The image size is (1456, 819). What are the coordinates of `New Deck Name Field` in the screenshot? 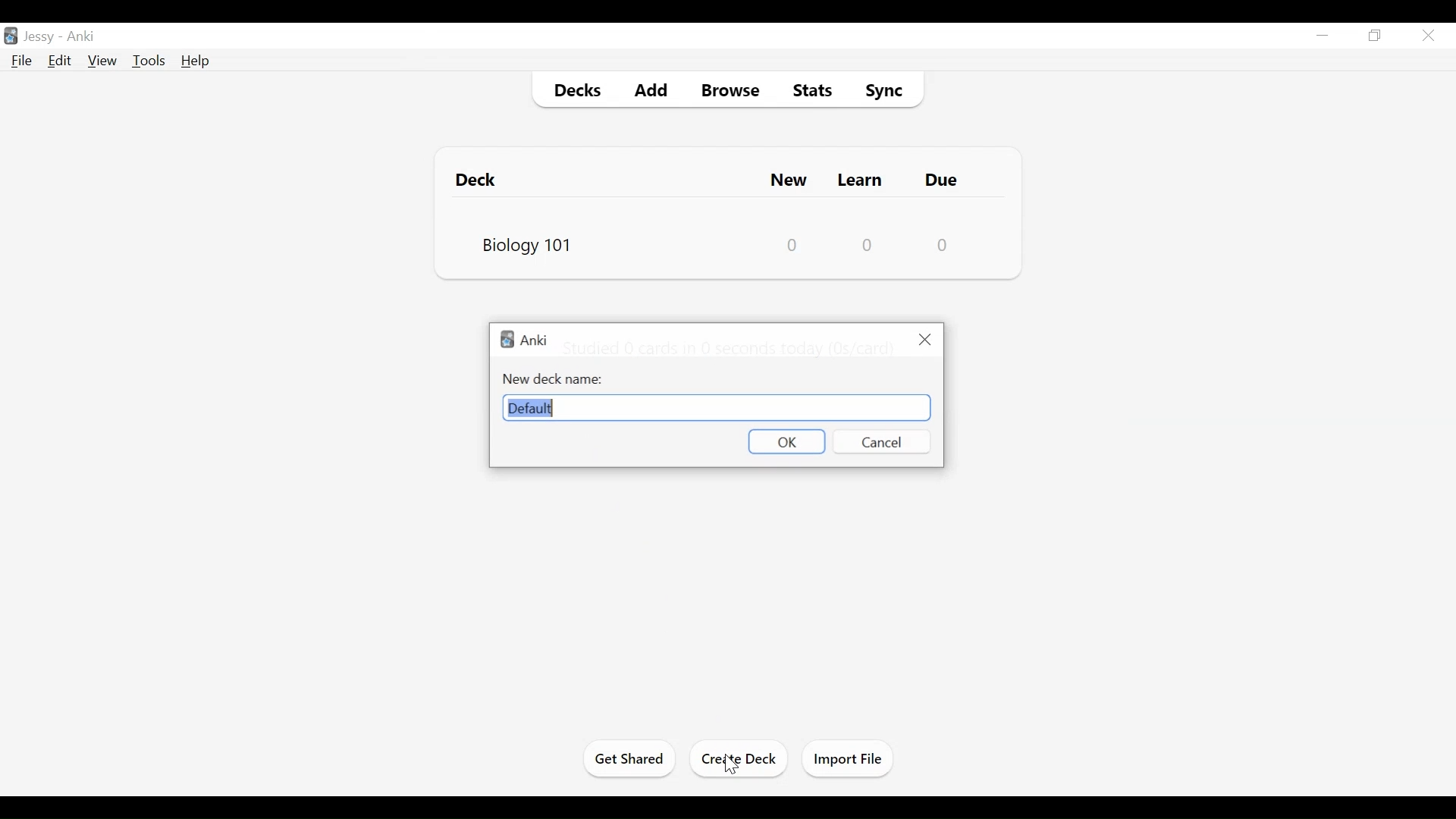 It's located at (718, 408).